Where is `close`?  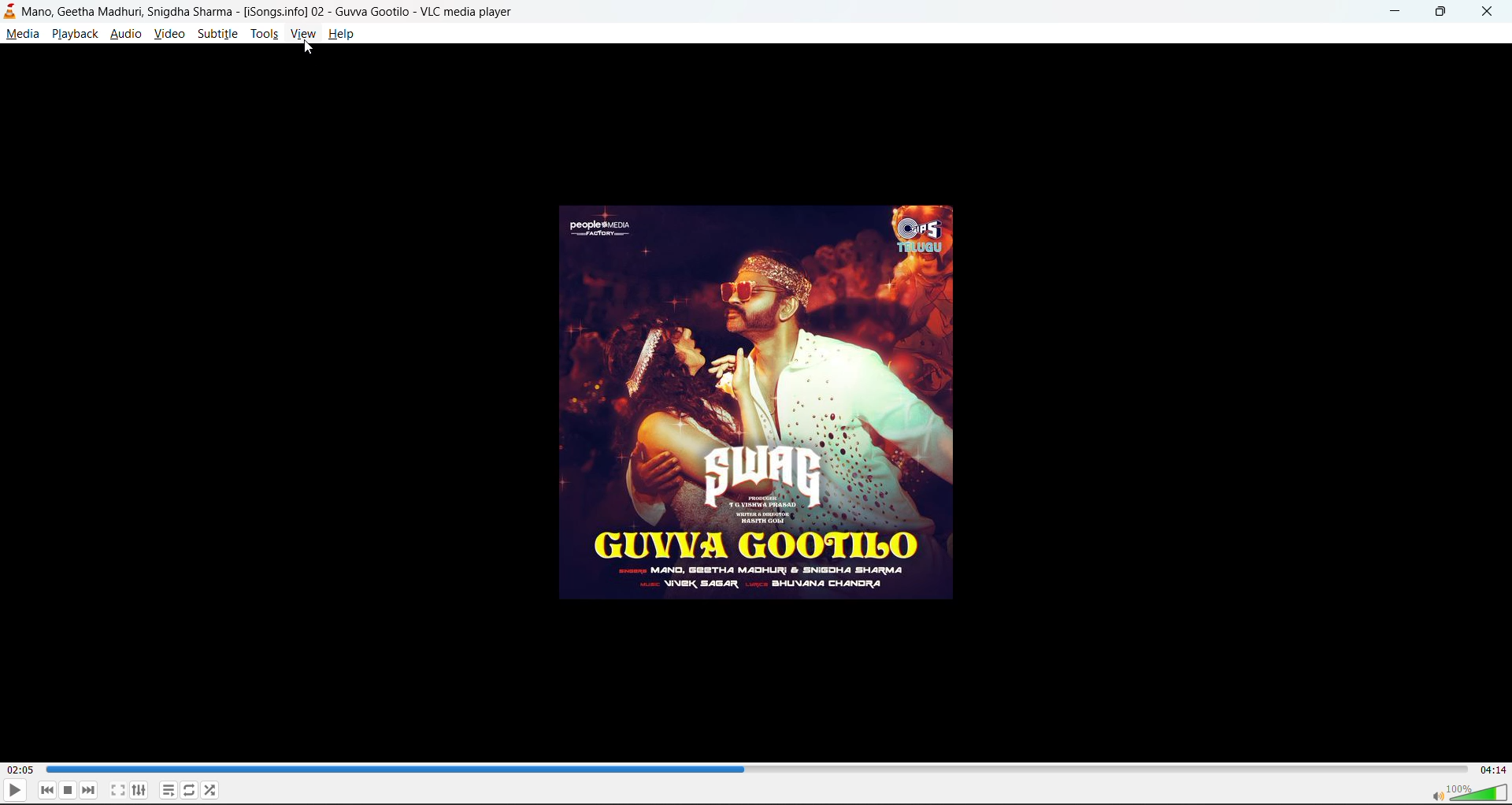 close is located at coordinates (1486, 13).